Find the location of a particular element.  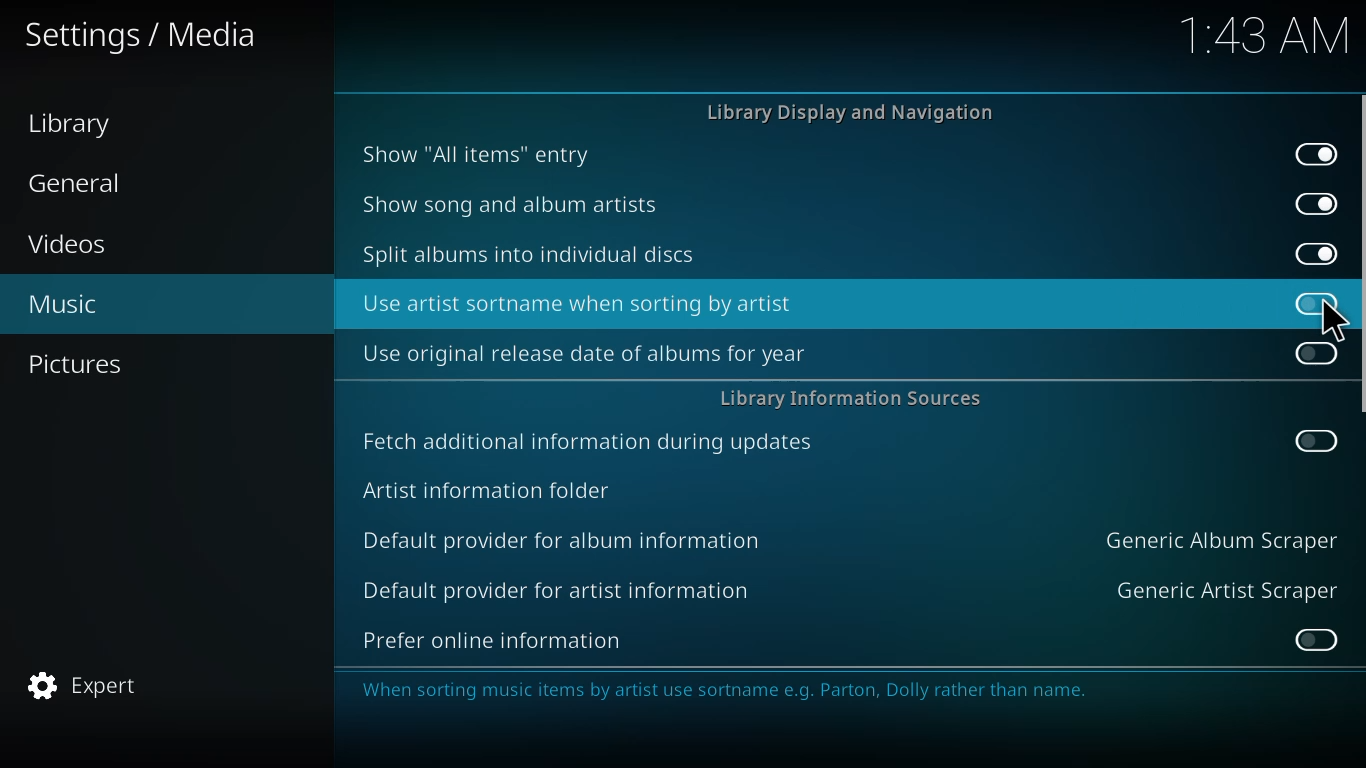

general is located at coordinates (85, 182).